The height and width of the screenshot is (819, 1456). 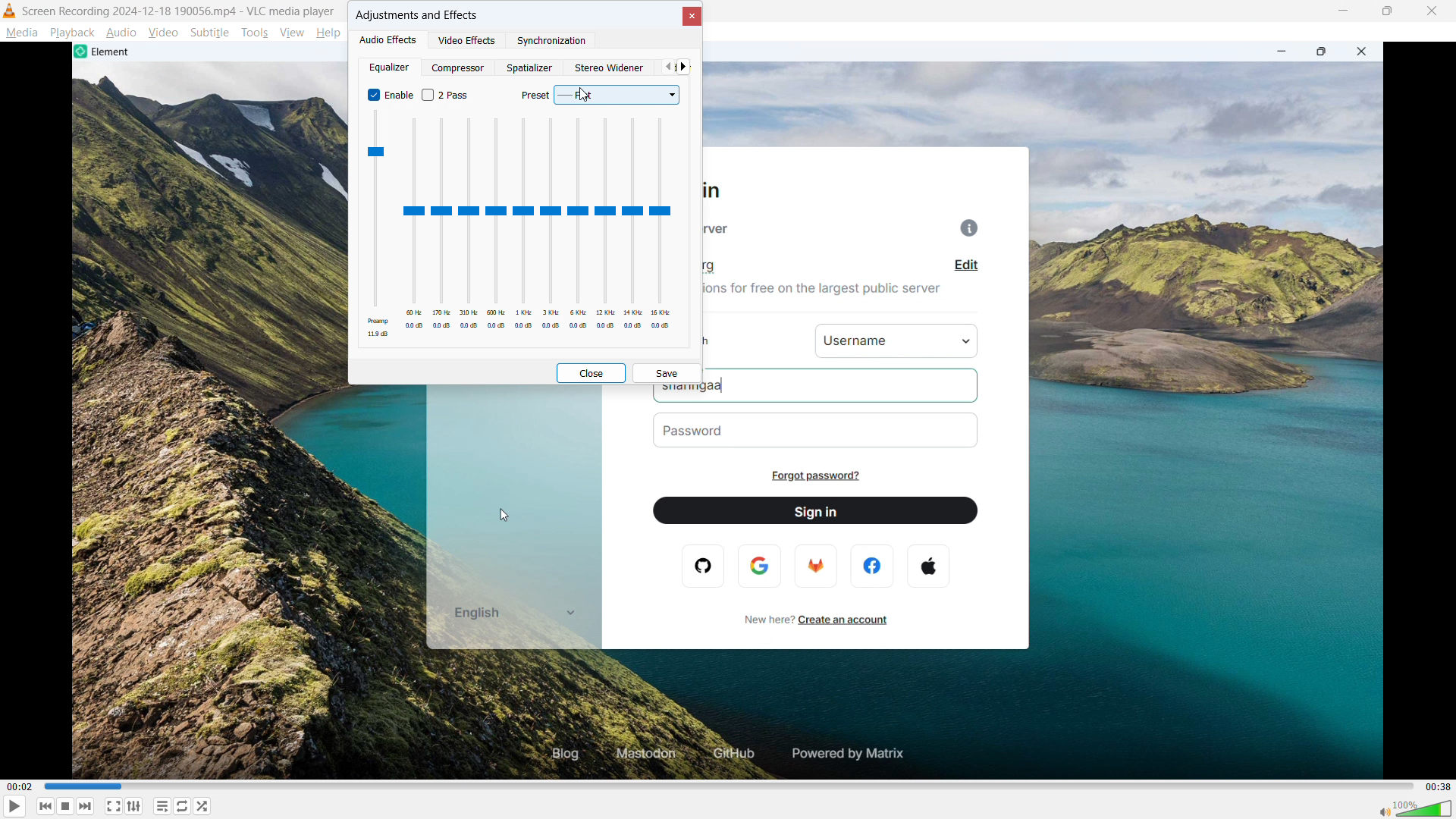 I want to click on Stop playback , so click(x=67, y=805).